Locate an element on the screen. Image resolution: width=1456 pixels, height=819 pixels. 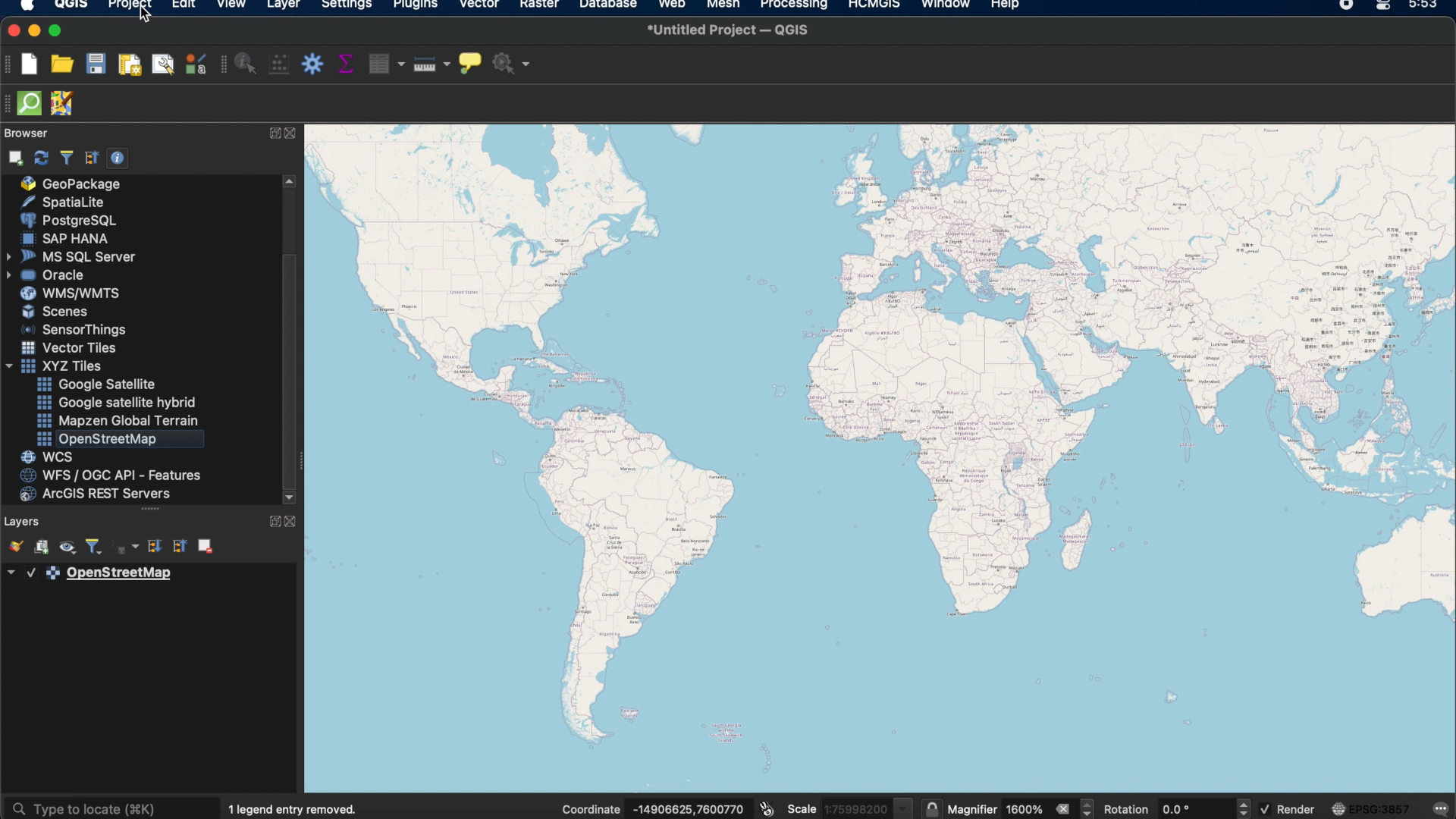
current crs is located at coordinates (1370, 807).